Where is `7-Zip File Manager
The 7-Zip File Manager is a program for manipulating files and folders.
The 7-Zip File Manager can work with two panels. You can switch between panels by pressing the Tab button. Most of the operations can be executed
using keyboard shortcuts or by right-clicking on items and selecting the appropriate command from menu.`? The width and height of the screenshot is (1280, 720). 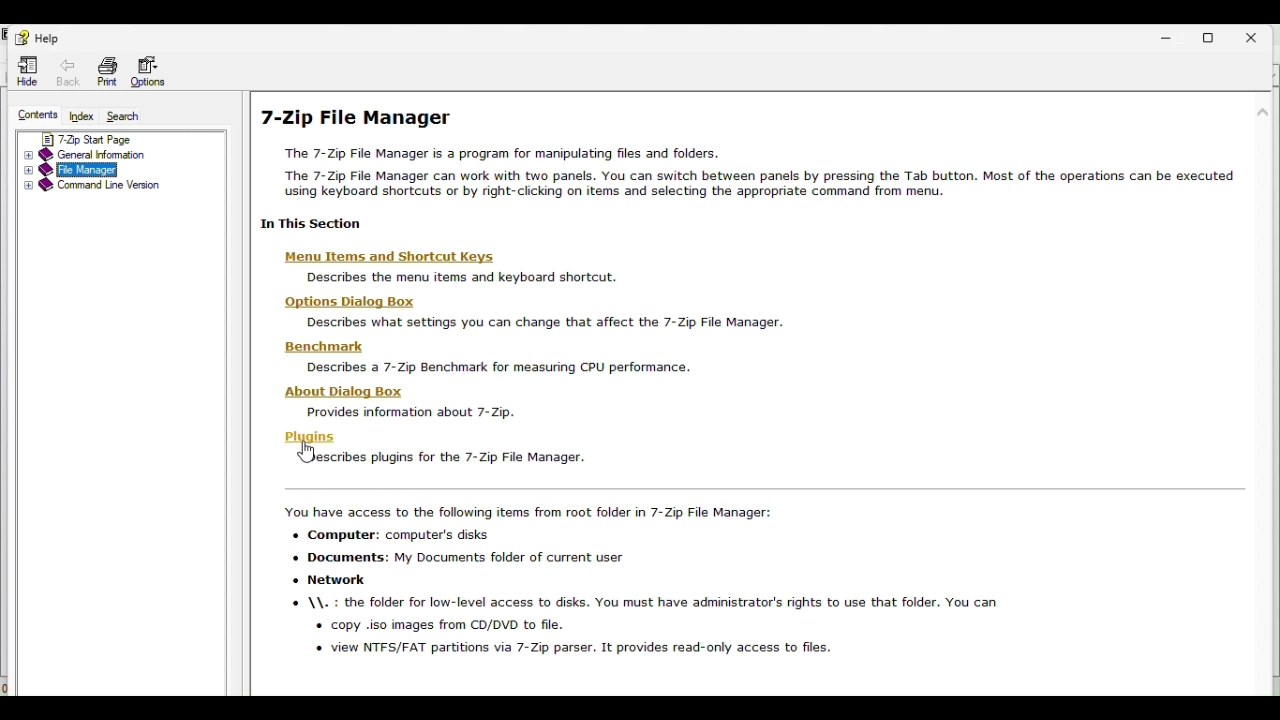
7-Zip File Manager
The 7-Zip File Manager is a program for manipulating files and folders.
The 7-Zip File Manager can work with two panels. You can switch between panels by pressing the Tab button. Most of the operations can be executed
using keyboard shortcuts or by right-clicking on items and selecting the appropriate command from menu. is located at coordinates (744, 152).